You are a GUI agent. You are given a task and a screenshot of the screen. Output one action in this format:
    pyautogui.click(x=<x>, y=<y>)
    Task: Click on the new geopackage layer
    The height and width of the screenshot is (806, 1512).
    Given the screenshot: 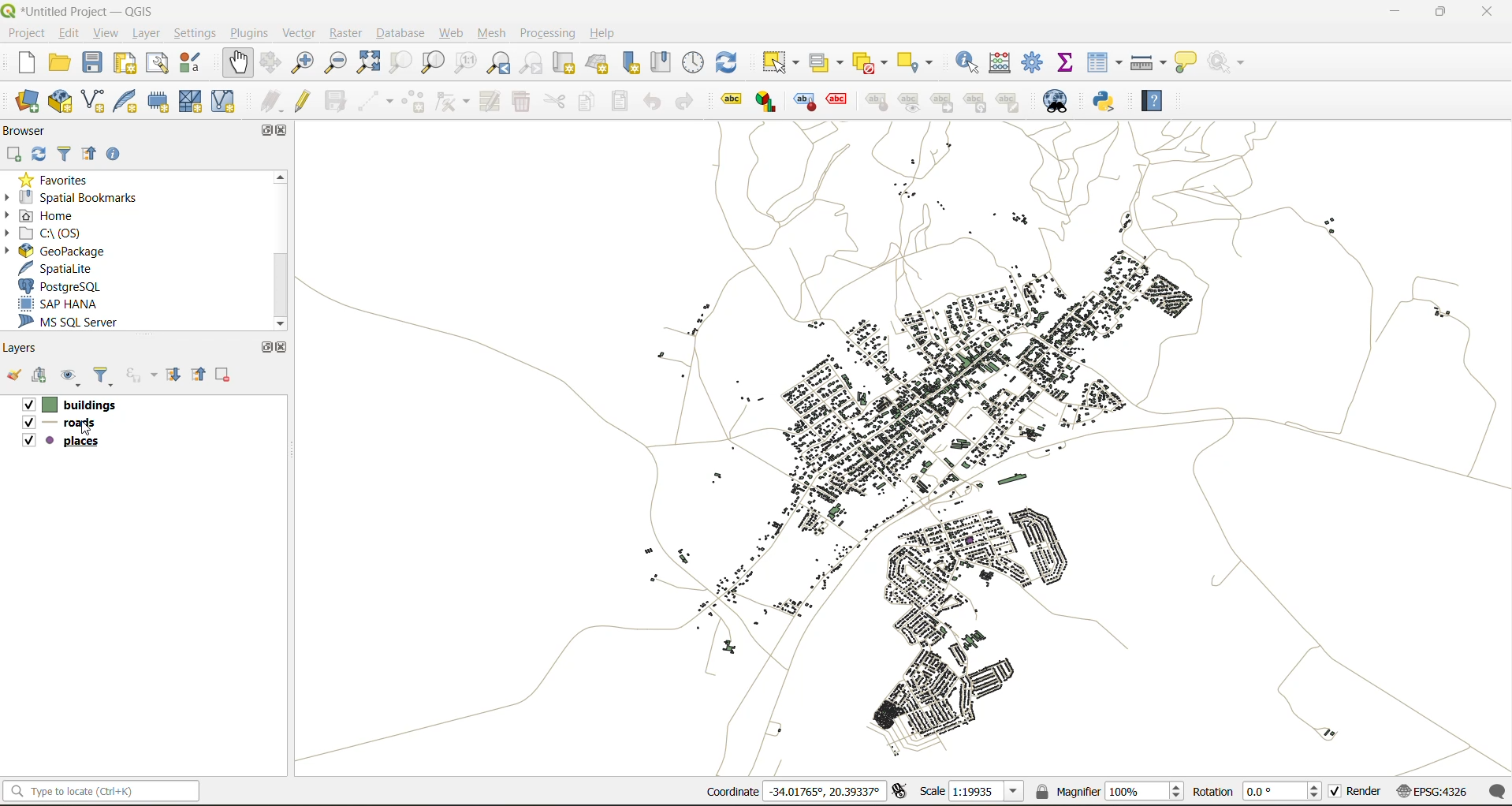 What is the action you would take?
    pyautogui.click(x=62, y=102)
    